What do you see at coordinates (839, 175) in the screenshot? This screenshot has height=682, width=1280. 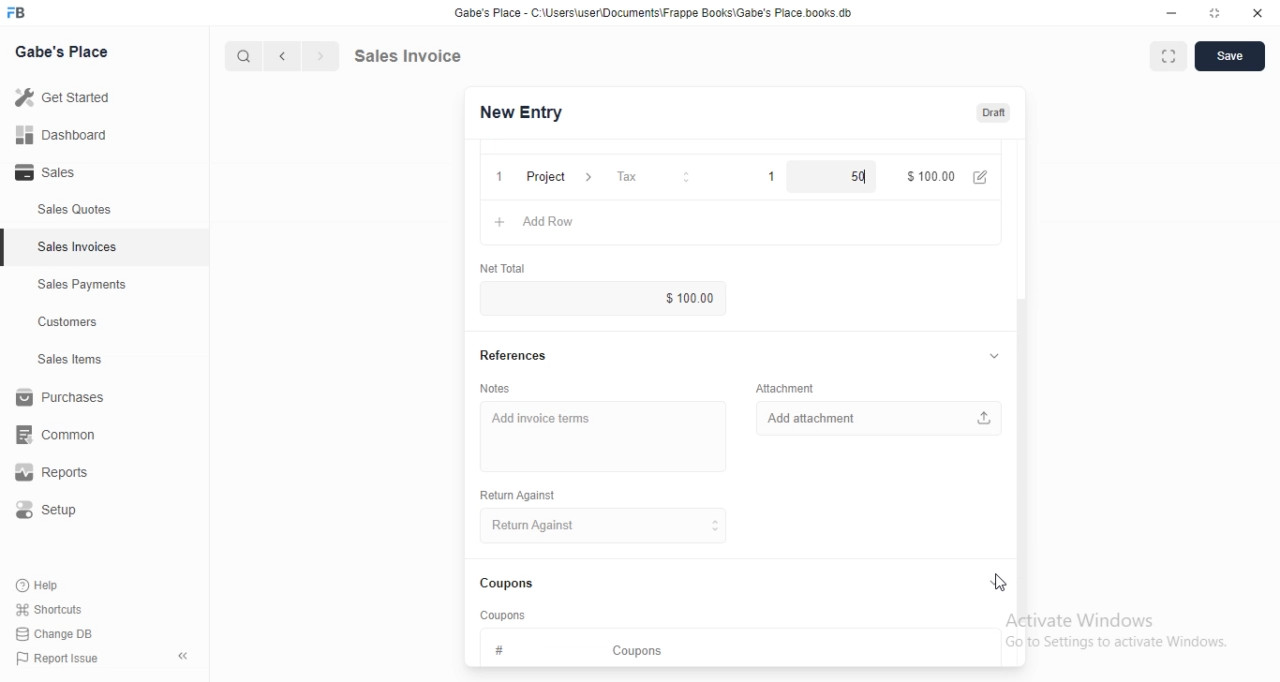 I see `50` at bounding box center [839, 175].